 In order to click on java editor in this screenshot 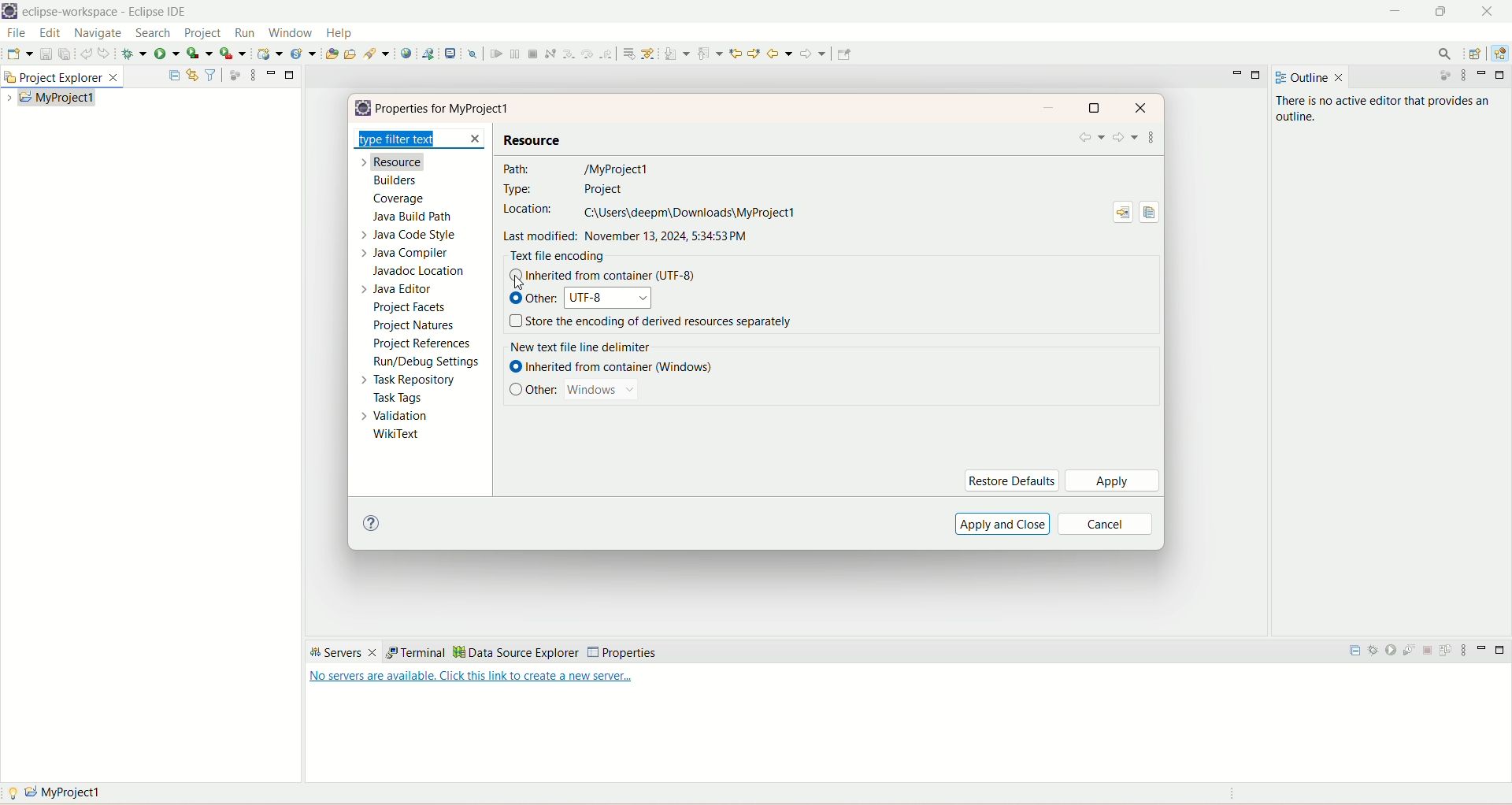, I will do `click(392, 290)`.